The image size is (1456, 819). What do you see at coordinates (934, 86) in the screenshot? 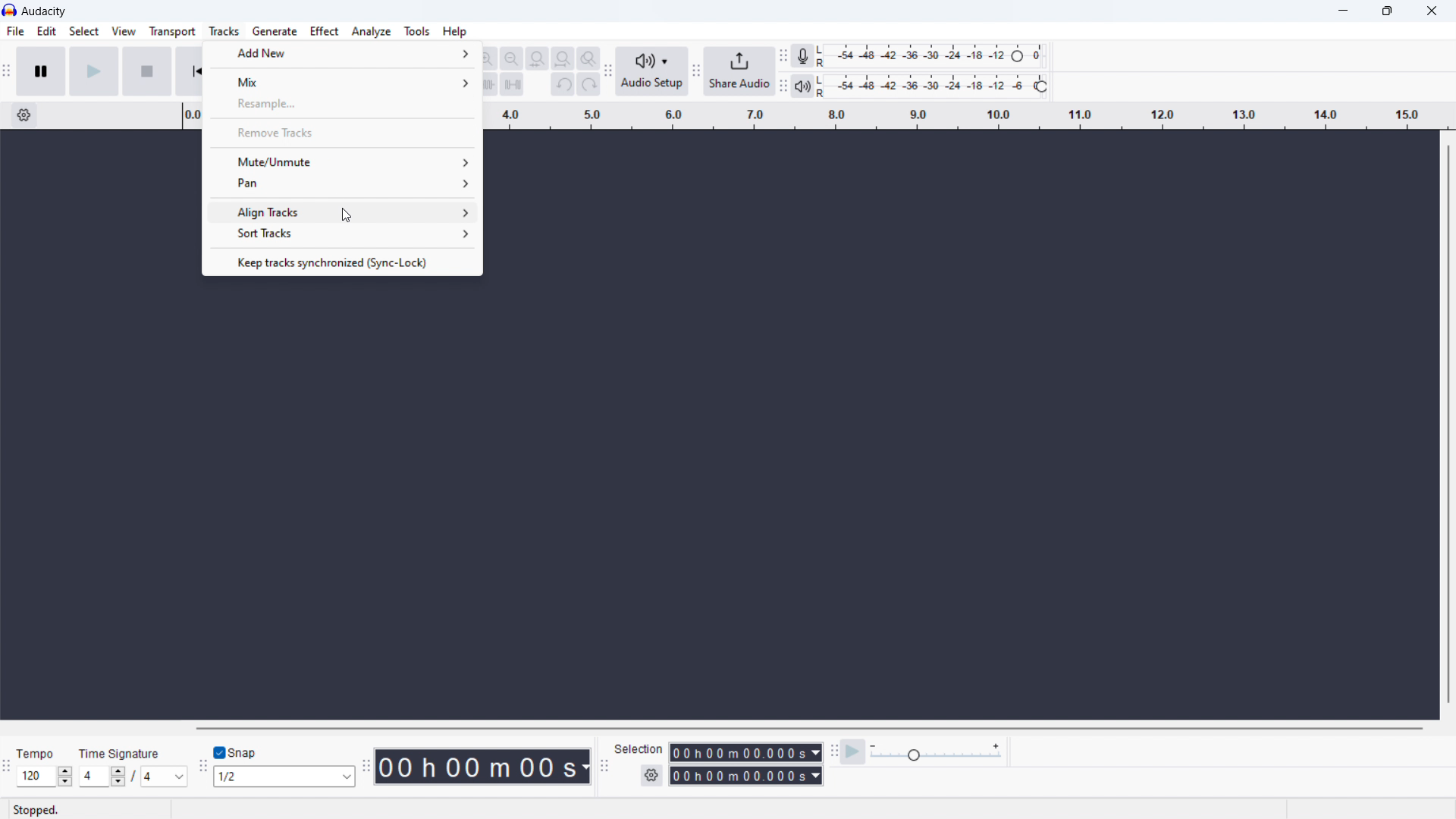
I see `playback  level` at bounding box center [934, 86].